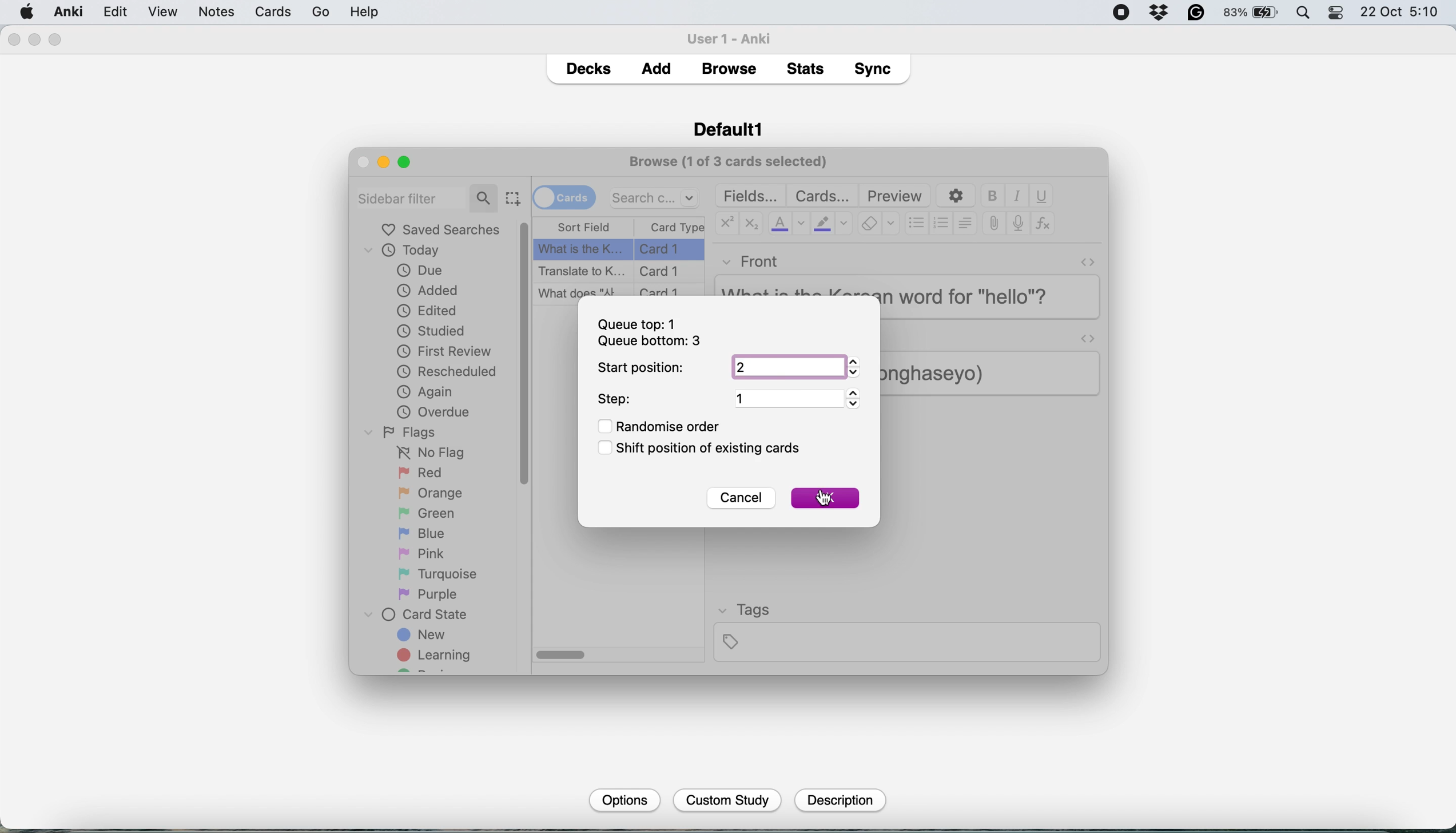  What do you see at coordinates (209, 13) in the screenshot?
I see `view` at bounding box center [209, 13].